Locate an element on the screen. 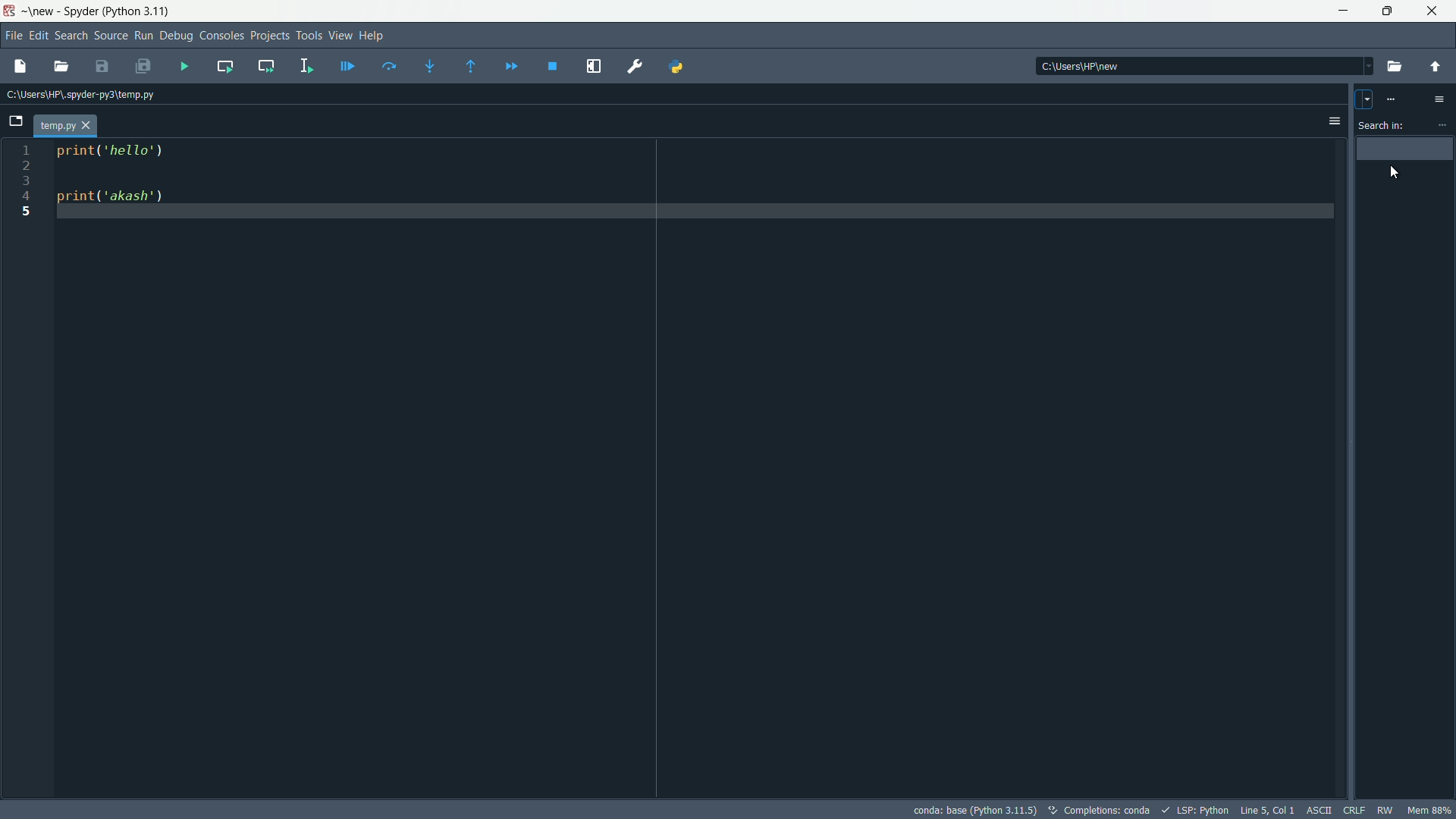  conda: base (Python 3.11.5) is located at coordinates (975, 810).